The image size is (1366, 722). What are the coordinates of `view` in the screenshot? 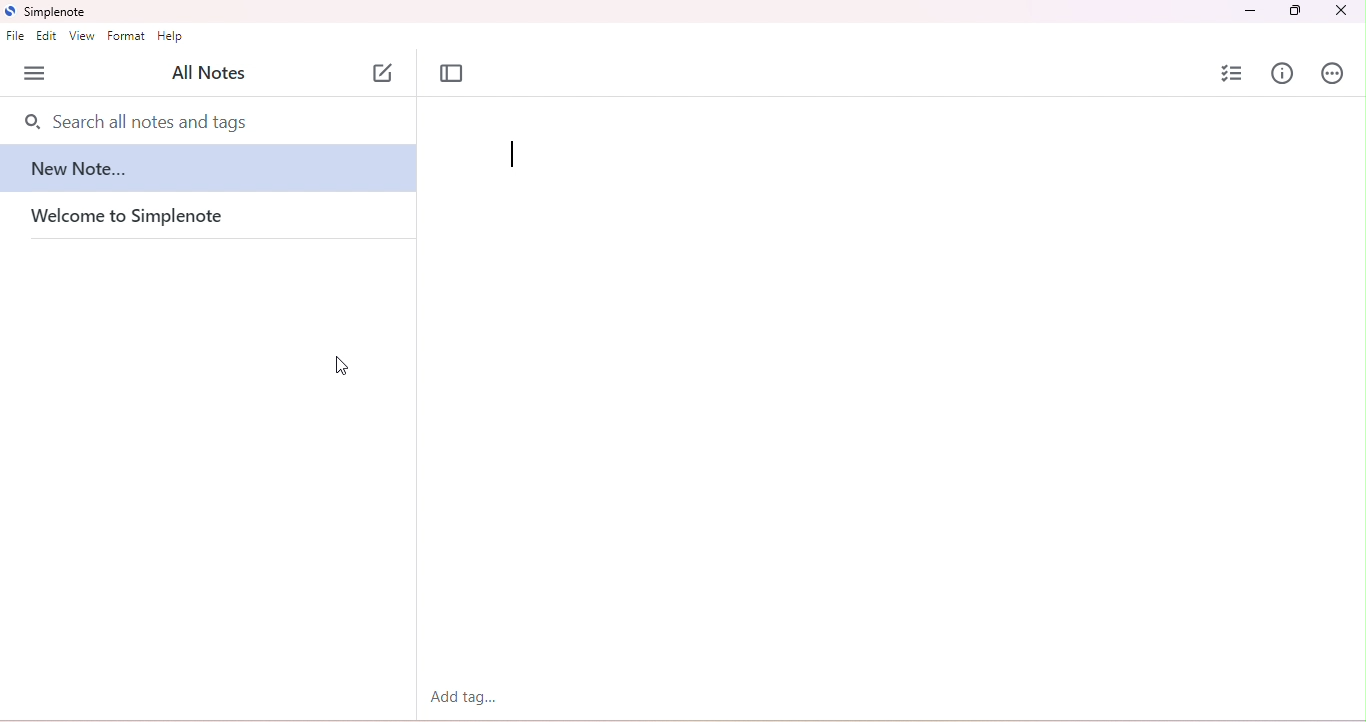 It's located at (83, 36).